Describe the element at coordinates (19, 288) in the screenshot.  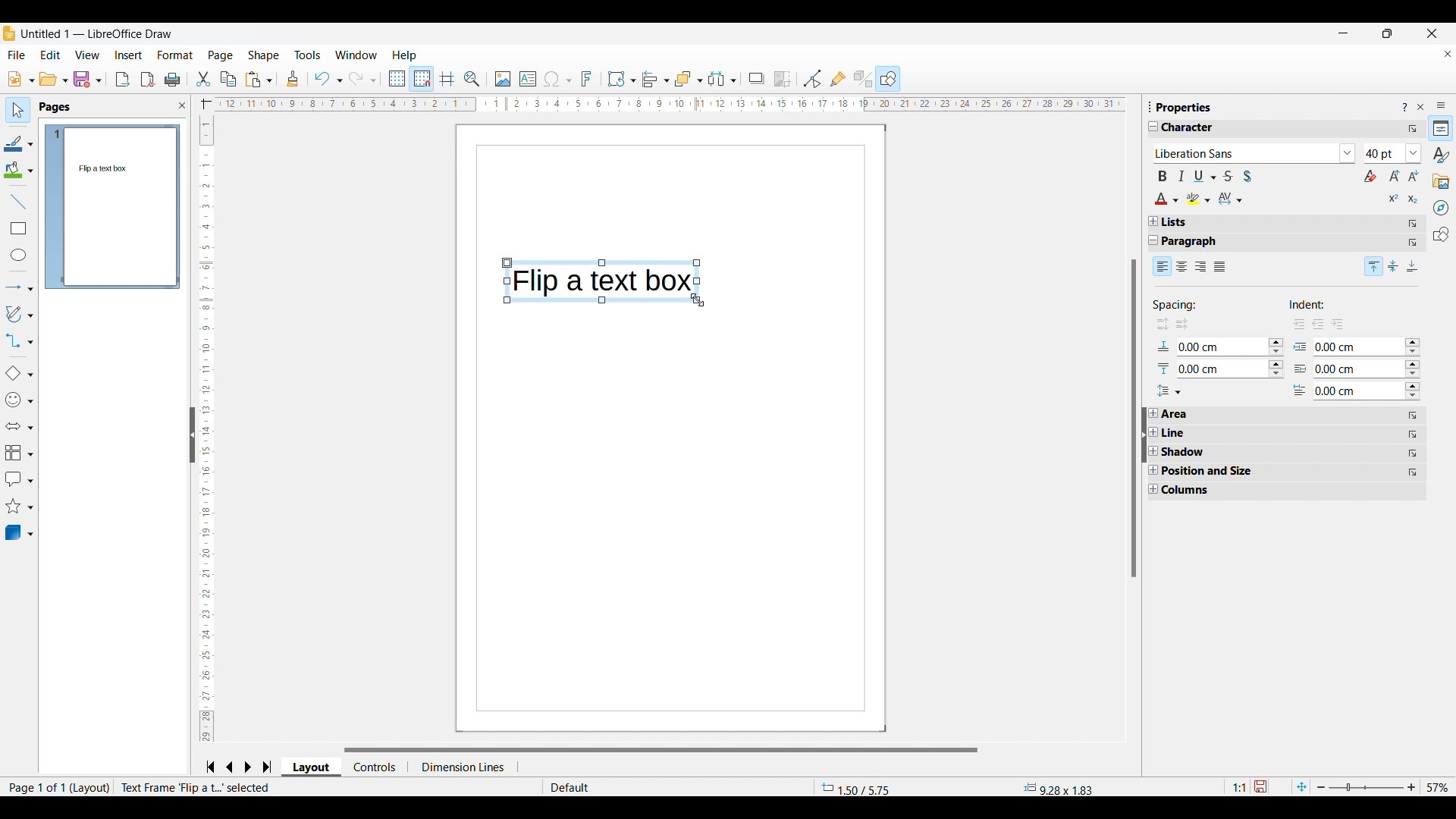
I see `Lines and arrow options` at that location.